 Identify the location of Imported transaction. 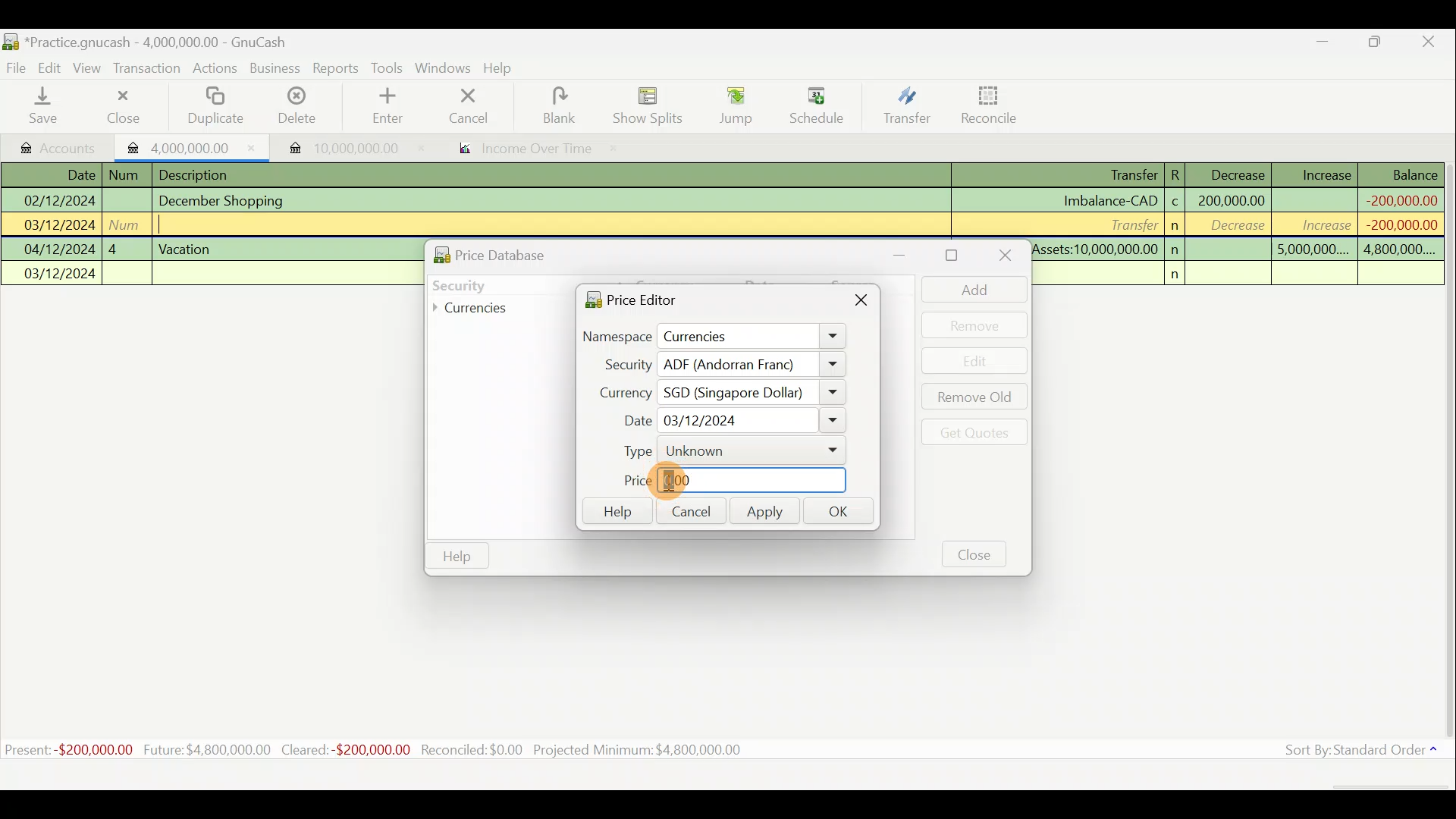
(186, 146).